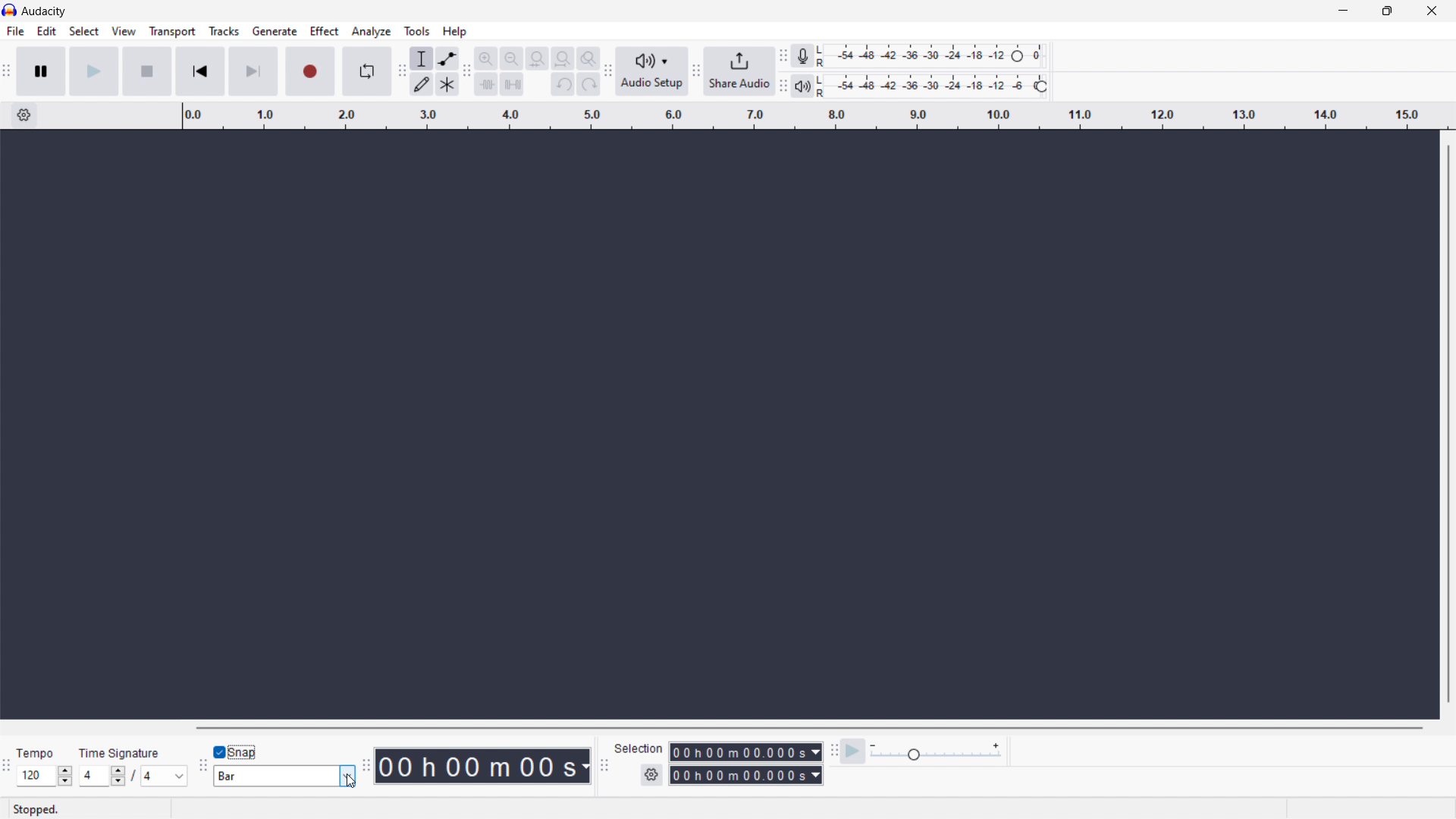 The image size is (1456, 819). What do you see at coordinates (852, 752) in the screenshot?
I see `play at speed` at bounding box center [852, 752].